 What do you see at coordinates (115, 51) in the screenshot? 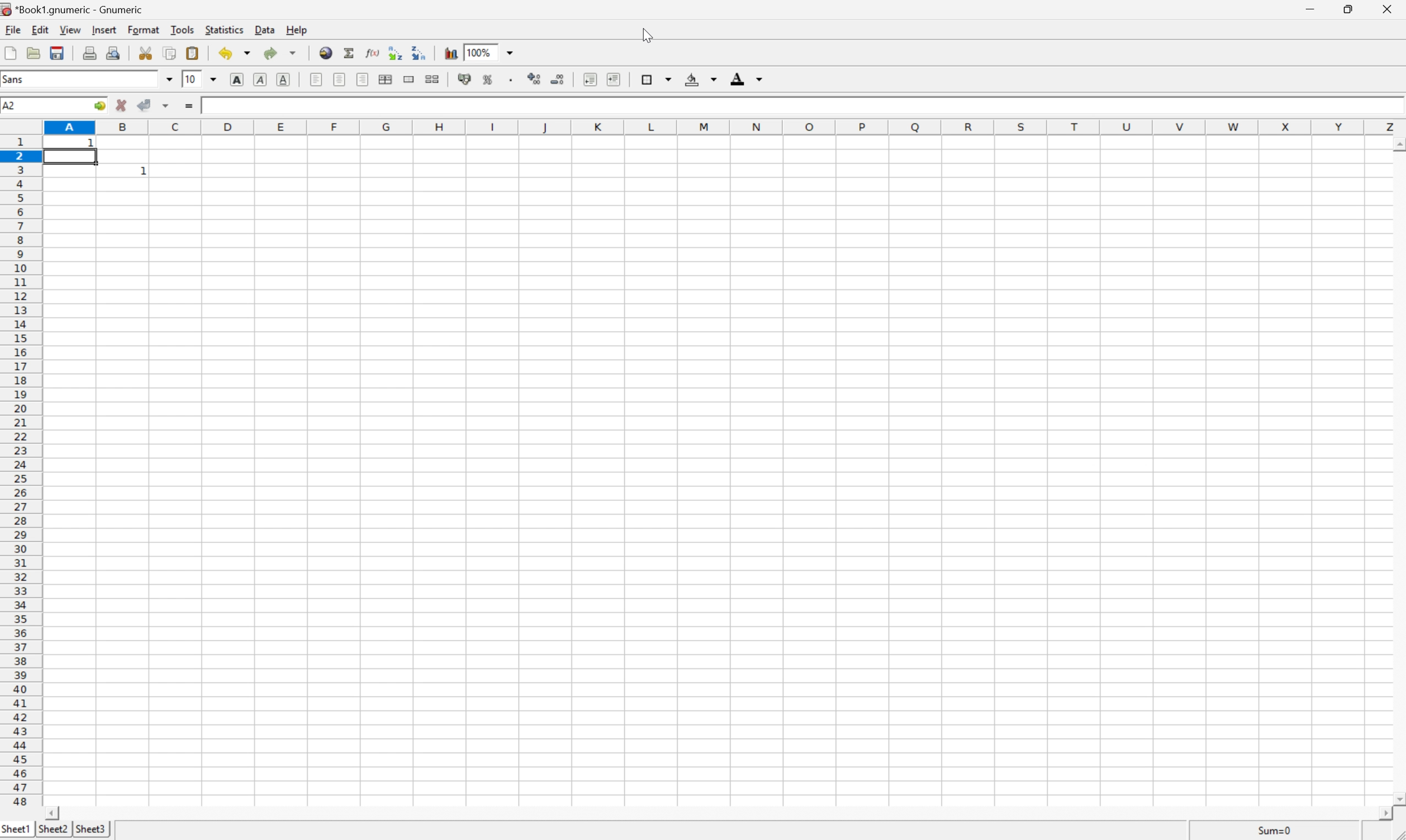
I see `print preview` at bounding box center [115, 51].